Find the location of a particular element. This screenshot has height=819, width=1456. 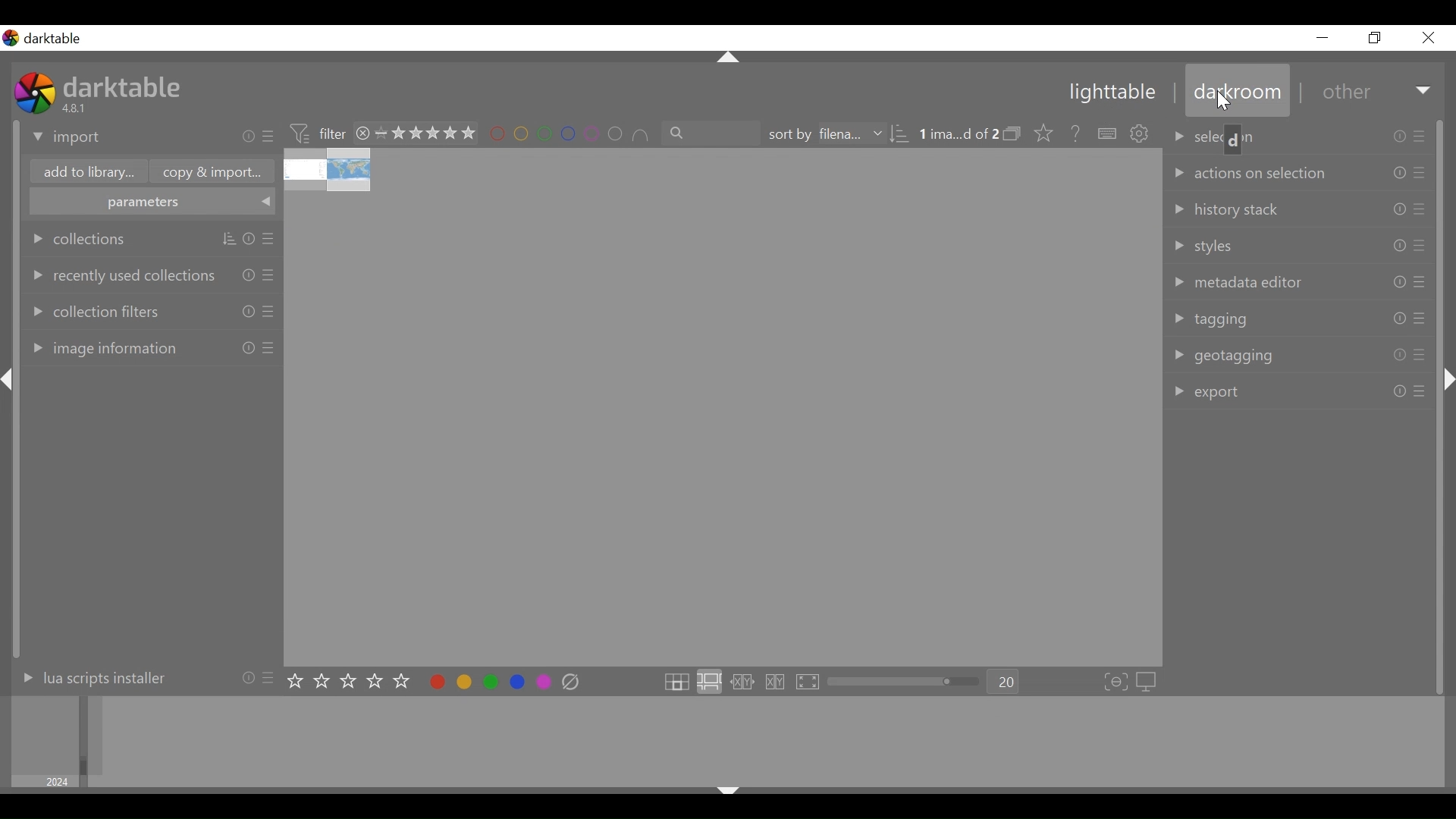

darkroom is located at coordinates (1238, 89).